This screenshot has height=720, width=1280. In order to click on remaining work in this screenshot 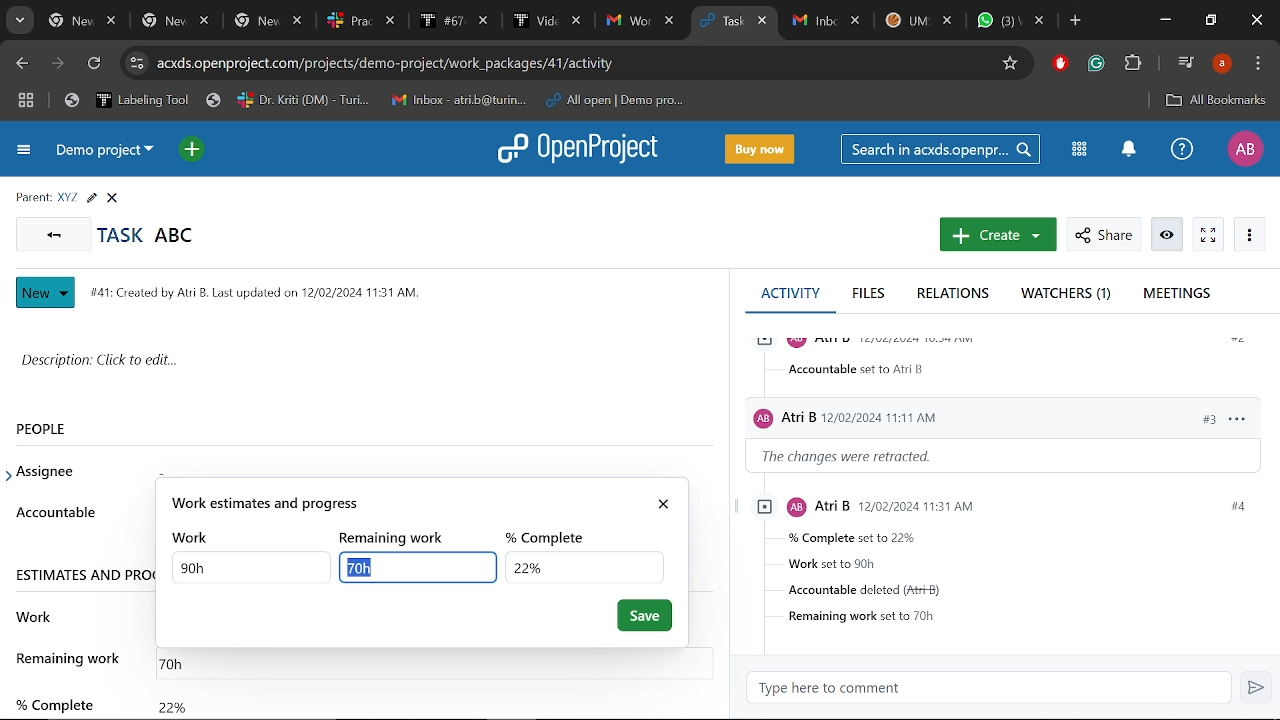, I will do `click(71, 658)`.